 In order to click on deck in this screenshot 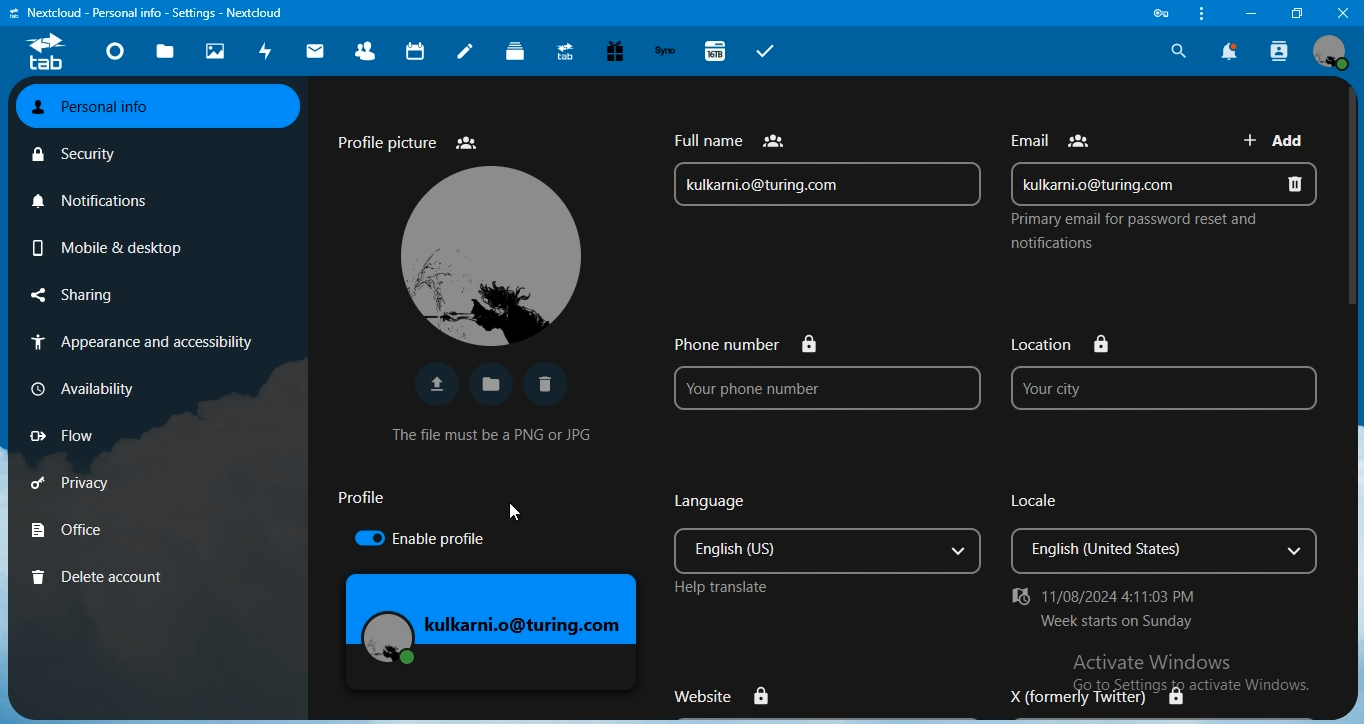, I will do `click(517, 51)`.